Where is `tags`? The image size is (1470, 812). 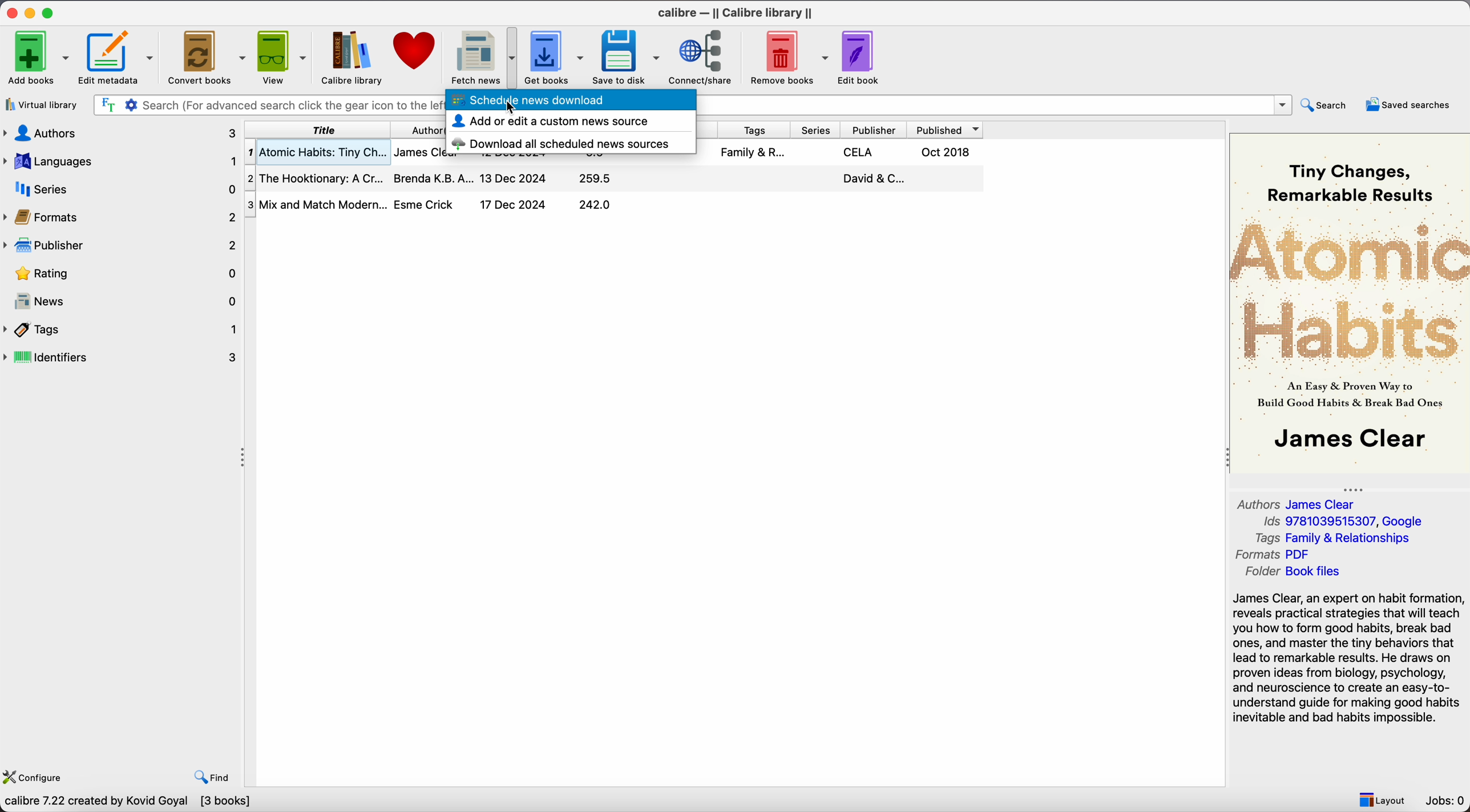 tags is located at coordinates (122, 330).